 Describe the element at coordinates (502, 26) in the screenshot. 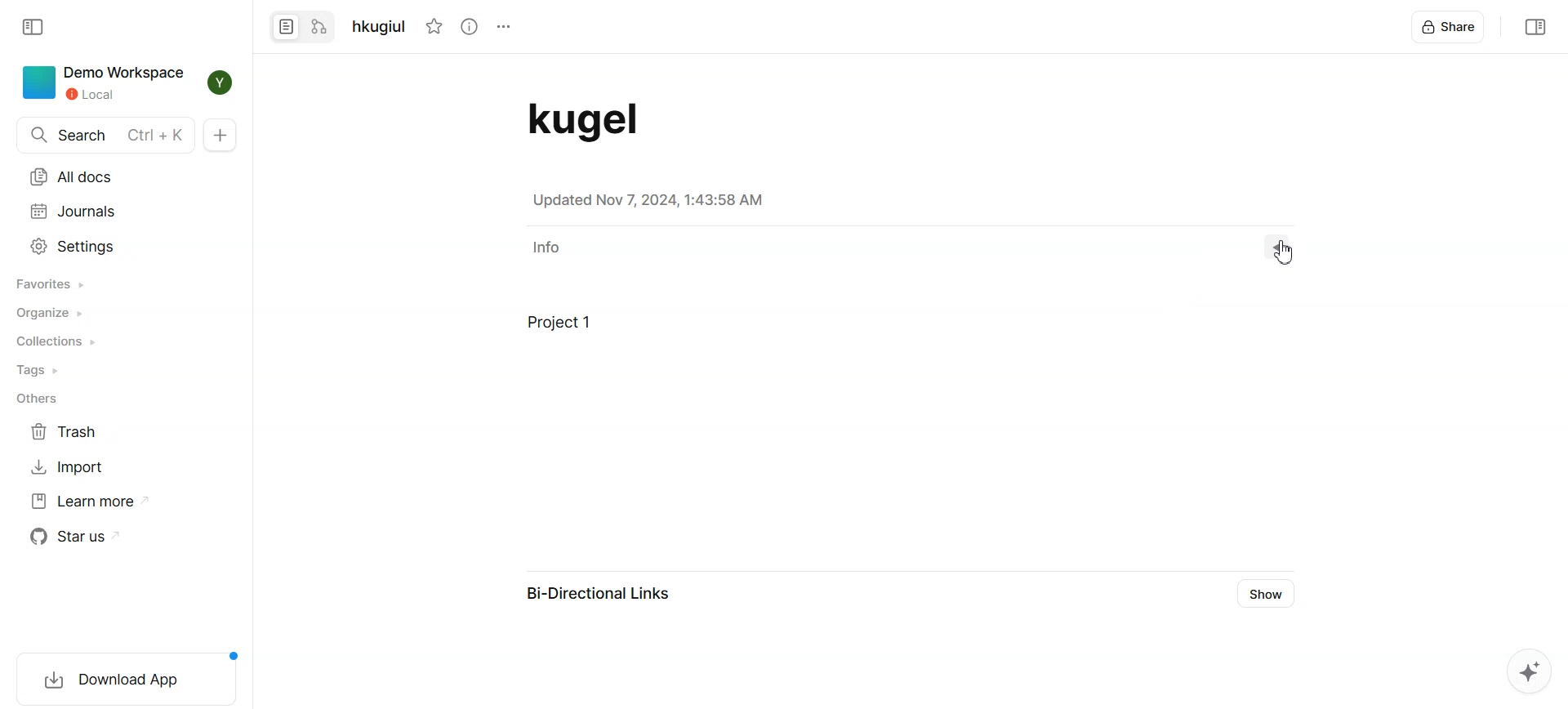

I see `options` at that location.